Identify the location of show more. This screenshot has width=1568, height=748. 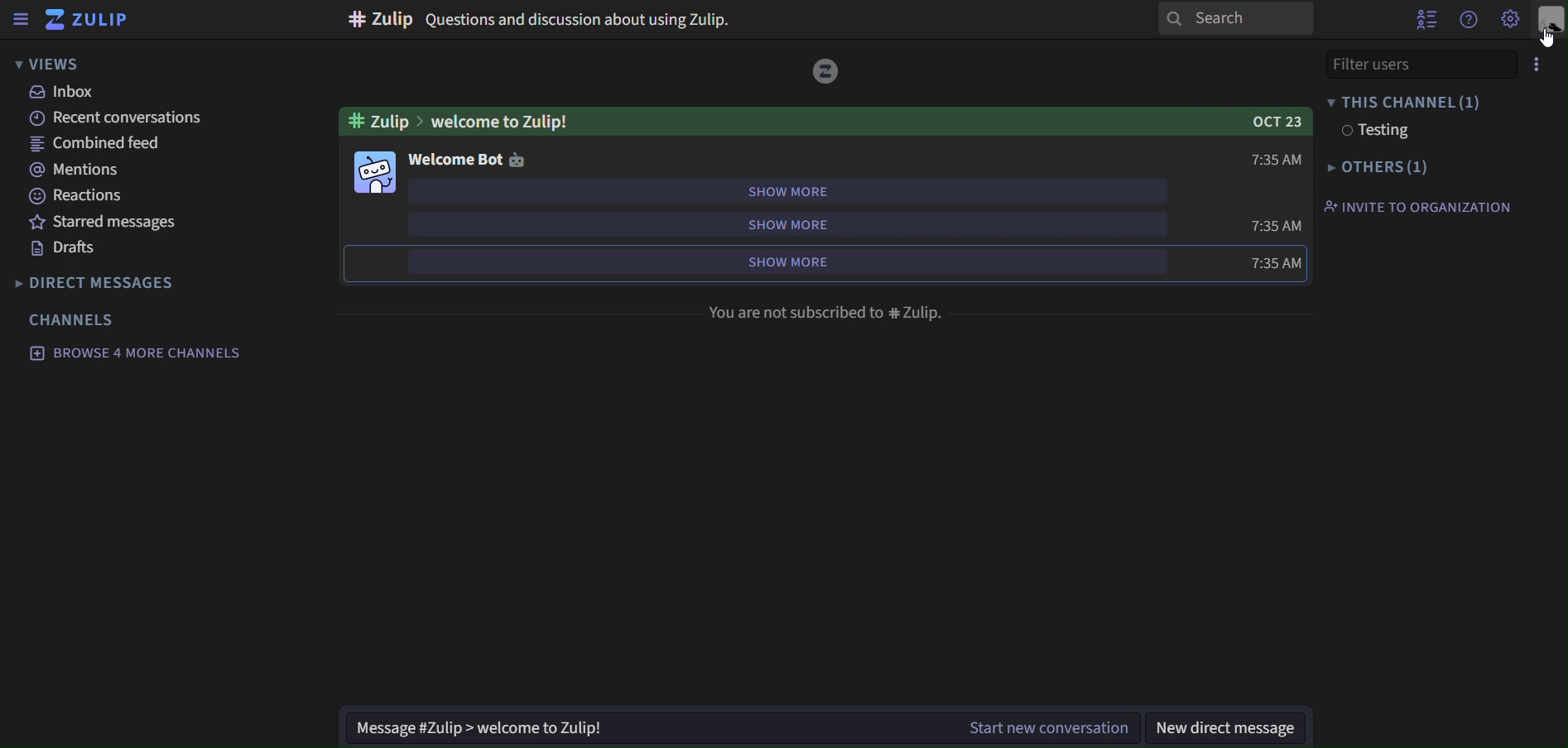
(809, 224).